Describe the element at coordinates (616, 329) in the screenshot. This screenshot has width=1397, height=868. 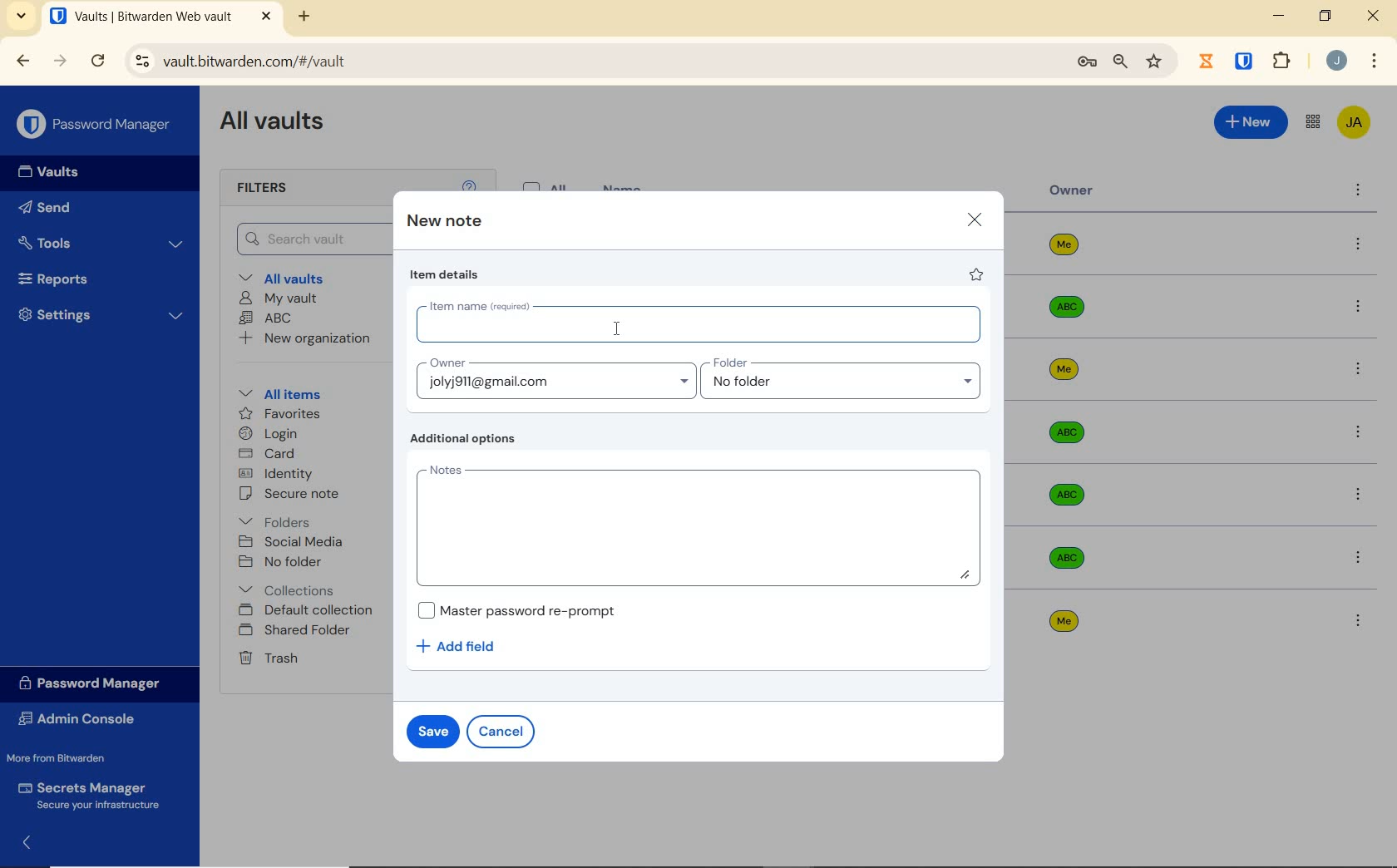
I see `cursor` at that location.